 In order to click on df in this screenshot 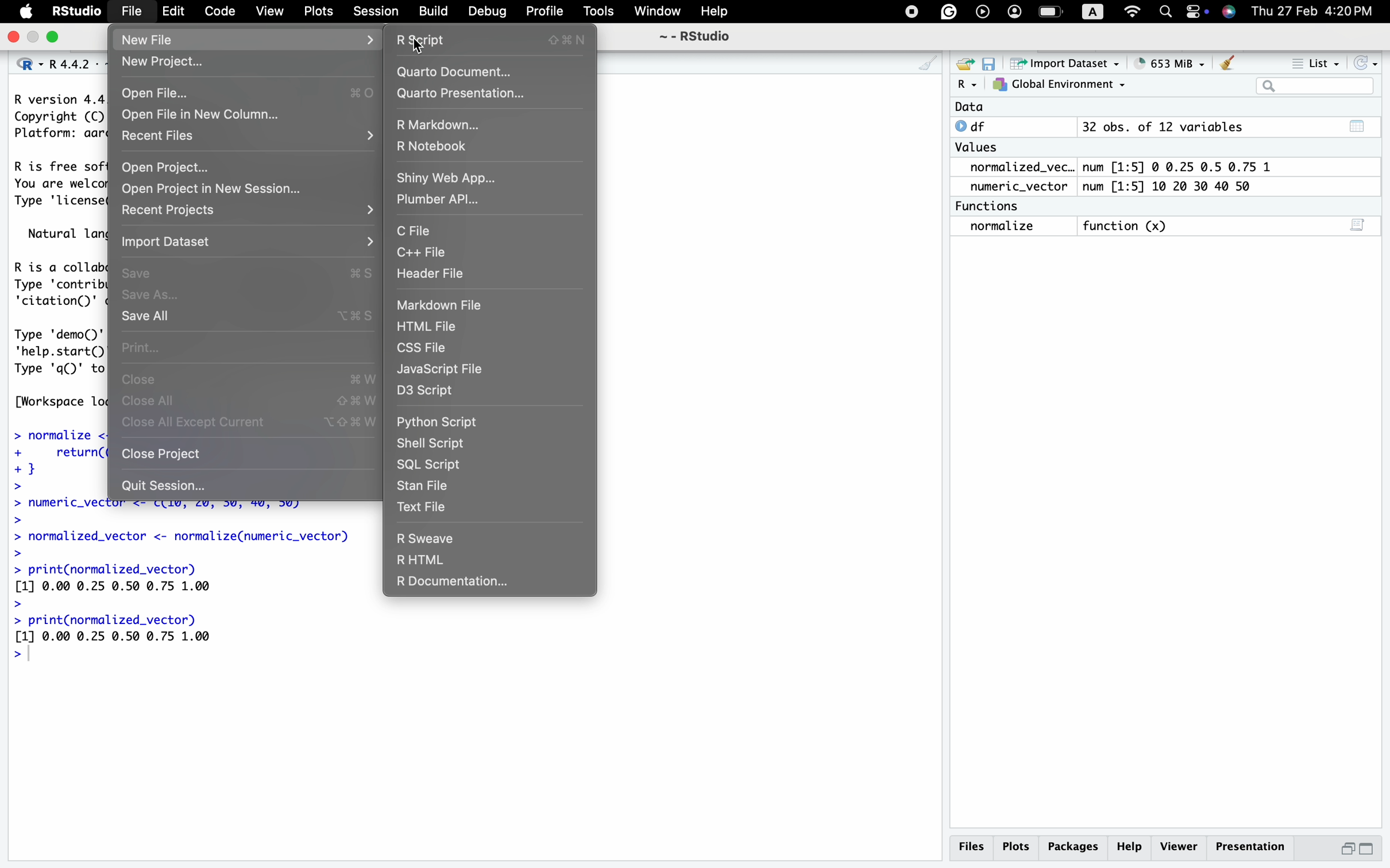, I will do `click(975, 126)`.